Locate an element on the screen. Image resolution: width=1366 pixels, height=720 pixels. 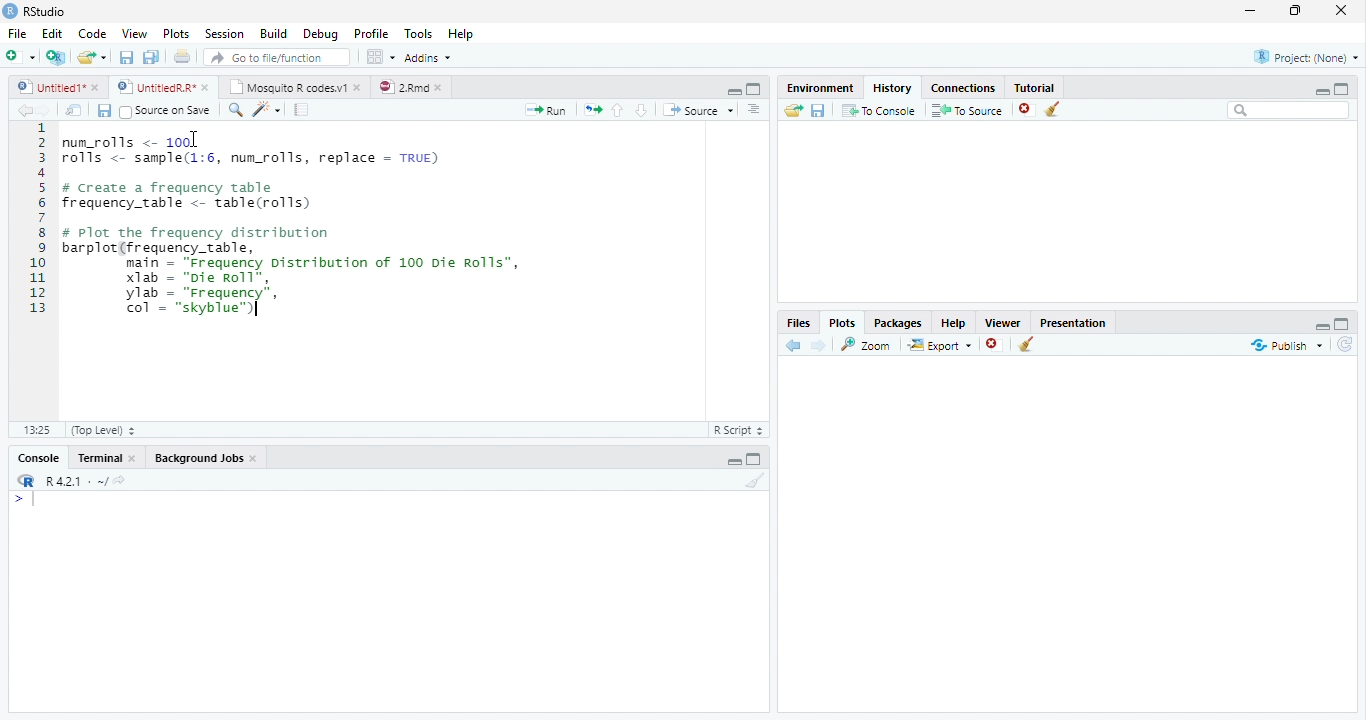
R Script is located at coordinates (739, 430).